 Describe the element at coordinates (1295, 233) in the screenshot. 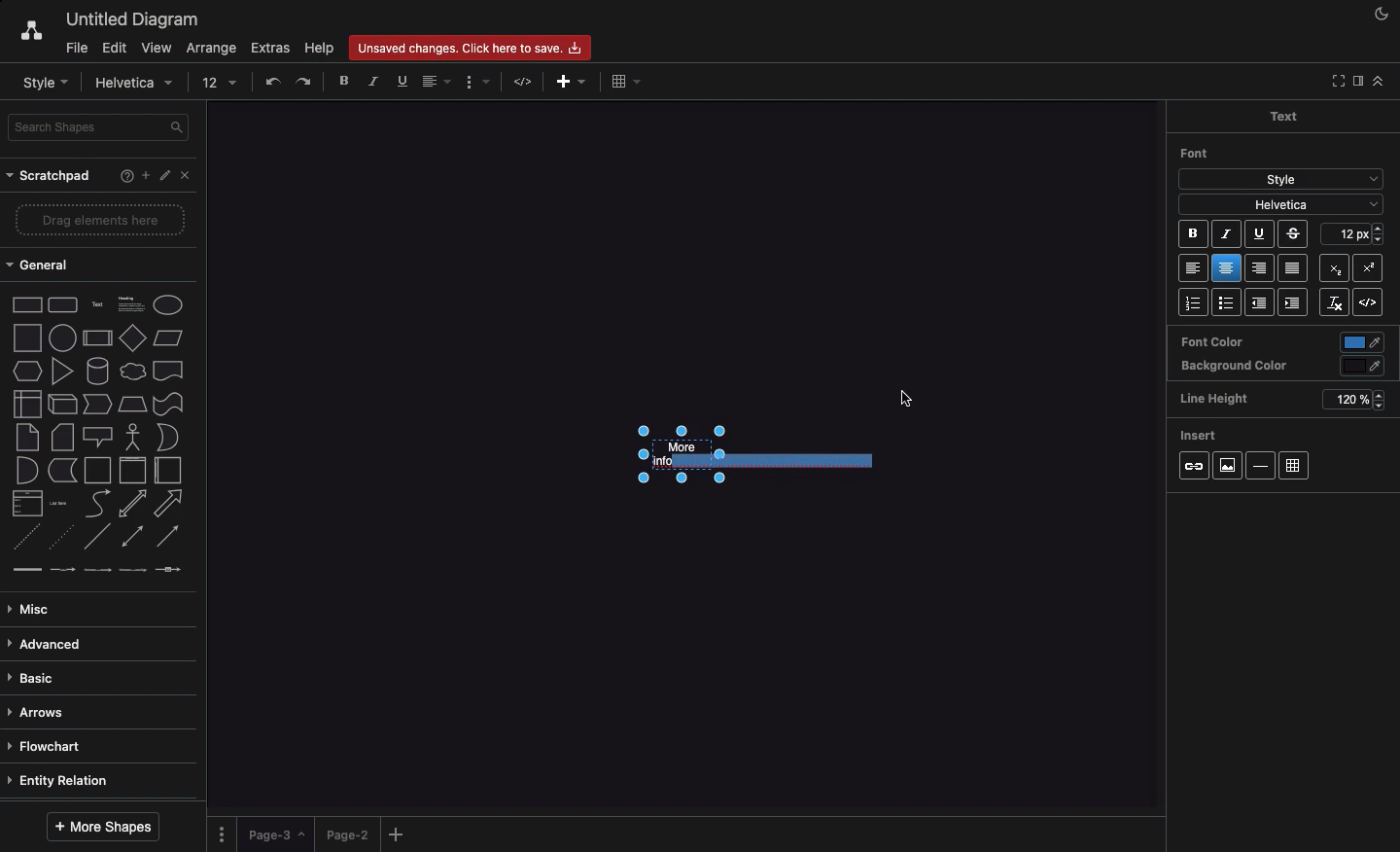

I see `Strikethrough` at that location.